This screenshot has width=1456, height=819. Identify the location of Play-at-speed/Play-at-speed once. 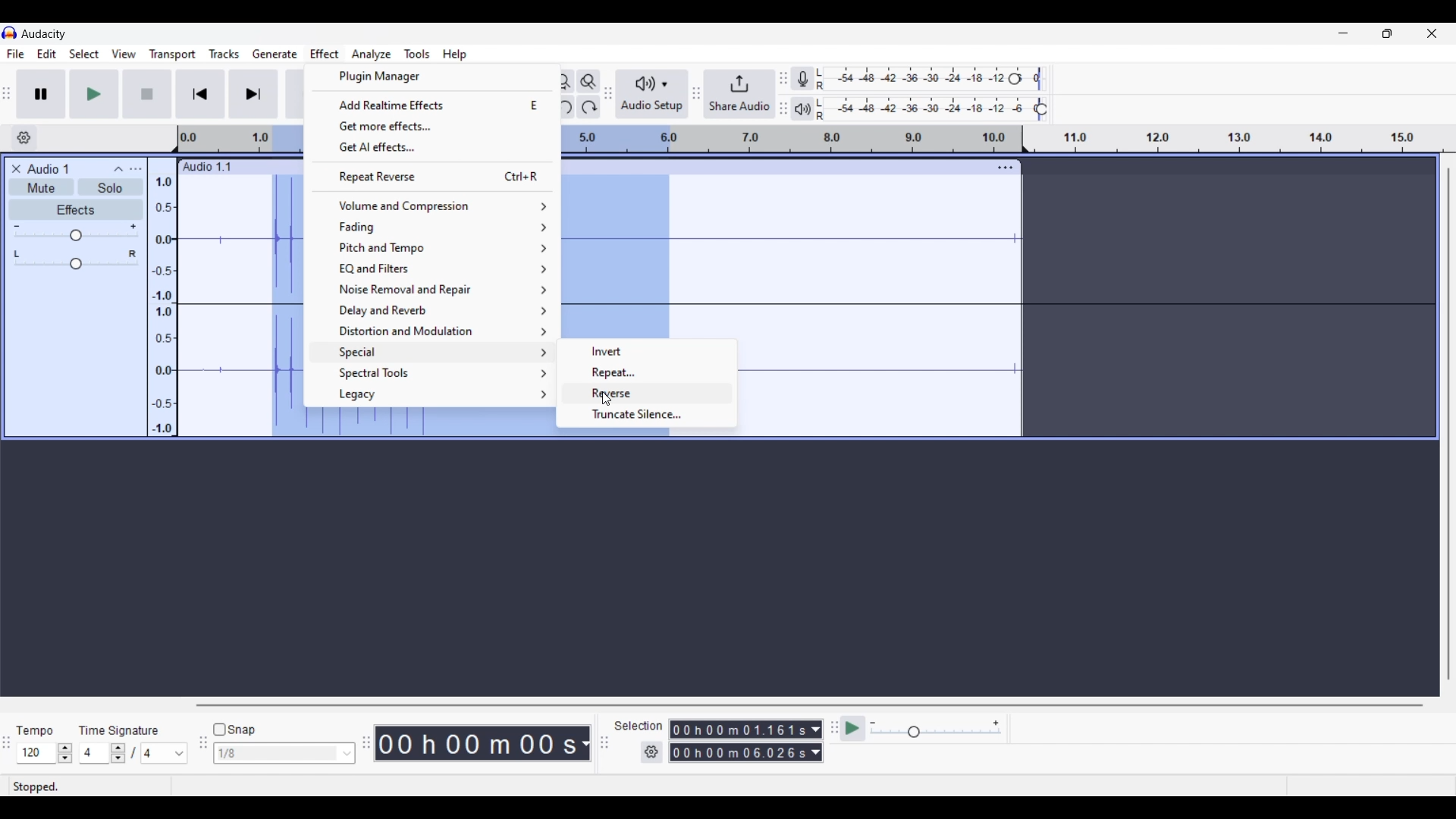
(852, 729).